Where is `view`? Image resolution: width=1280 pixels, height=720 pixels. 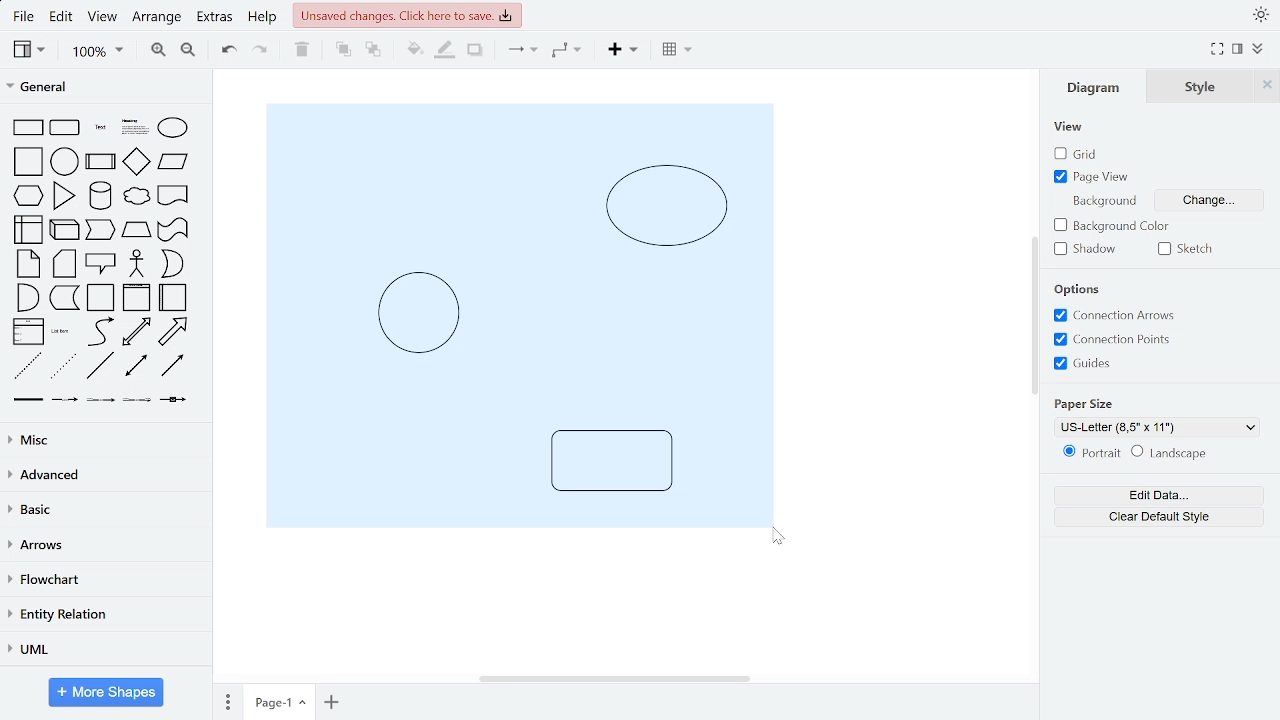 view is located at coordinates (1069, 127).